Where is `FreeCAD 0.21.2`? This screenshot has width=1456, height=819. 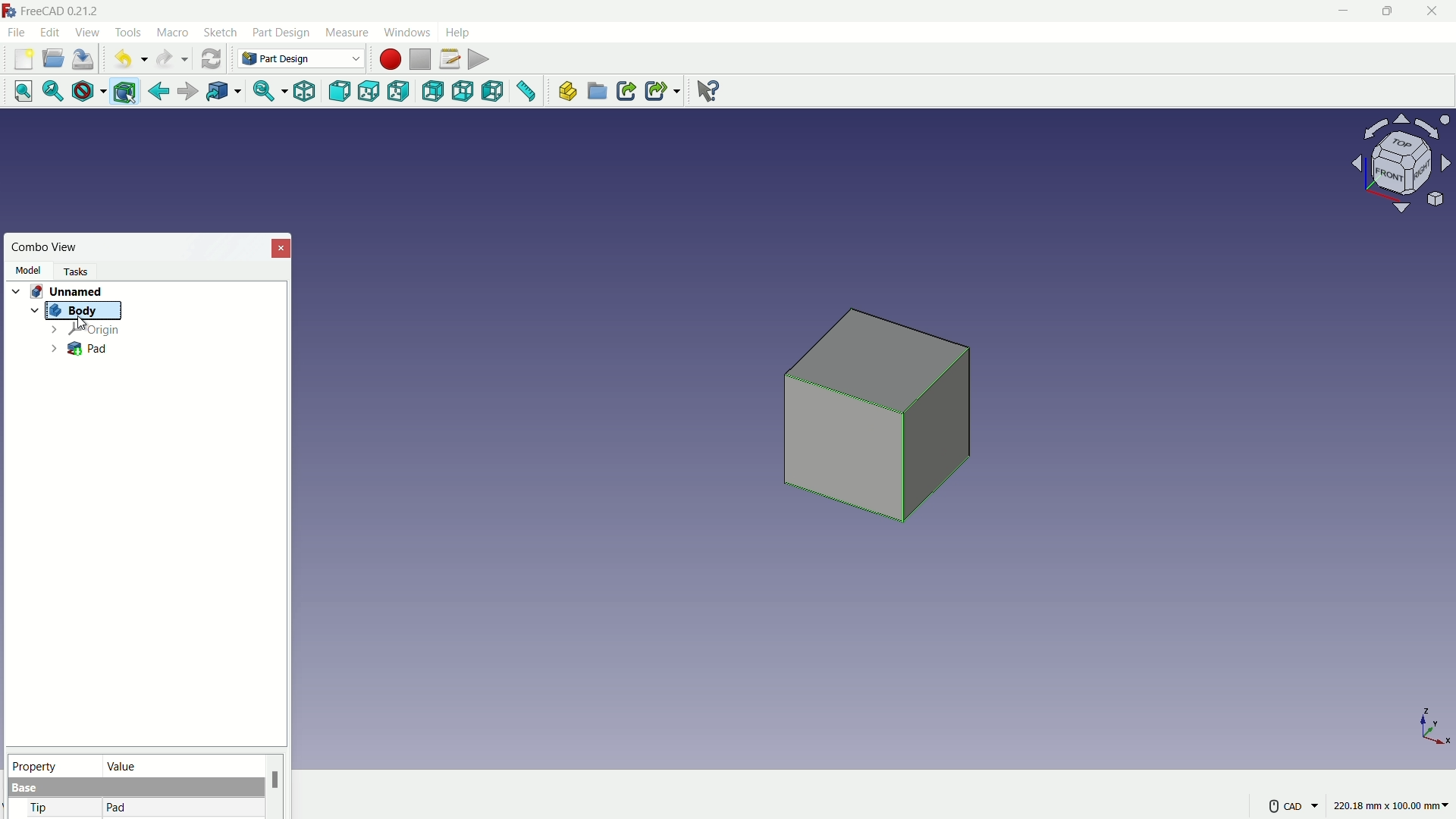 FreeCAD 0.21.2 is located at coordinates (53, 10).